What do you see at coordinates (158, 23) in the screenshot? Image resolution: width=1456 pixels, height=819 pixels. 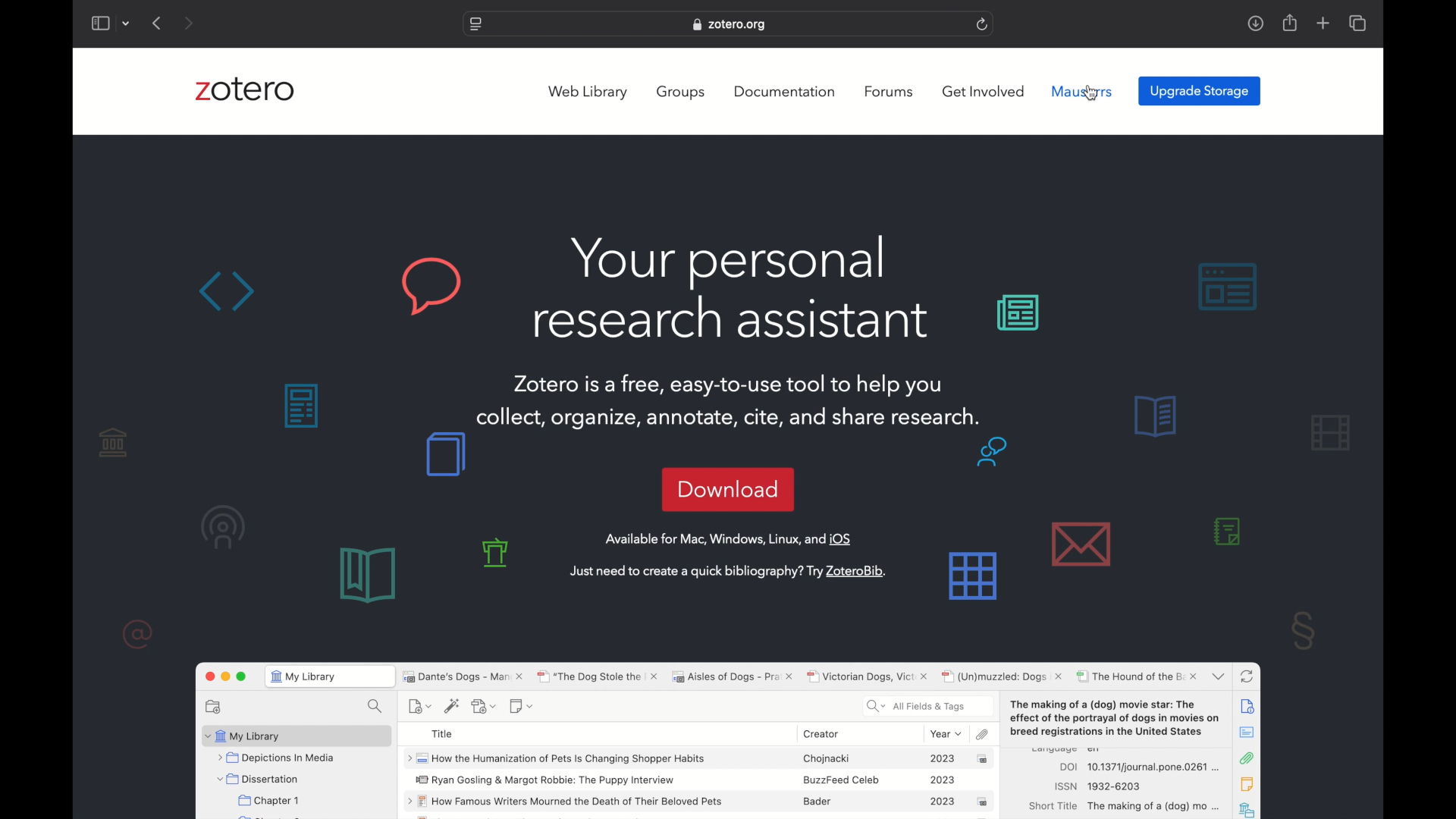 I see `previous` at bounding box center [158, 23].